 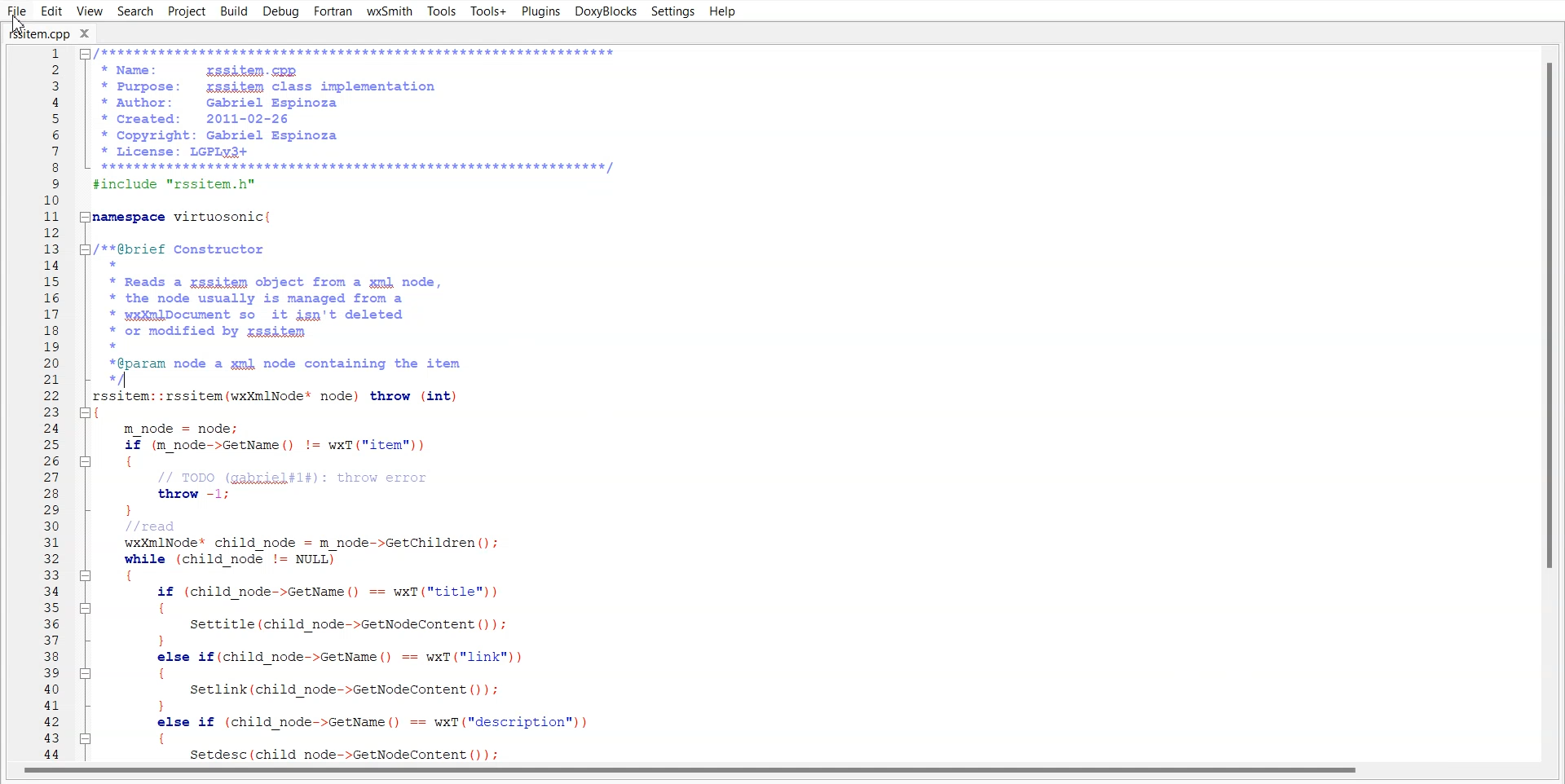 What do you see at coordinates (721, 11) in the screenshot?
I see `Help` at bounding box center [721, 11].